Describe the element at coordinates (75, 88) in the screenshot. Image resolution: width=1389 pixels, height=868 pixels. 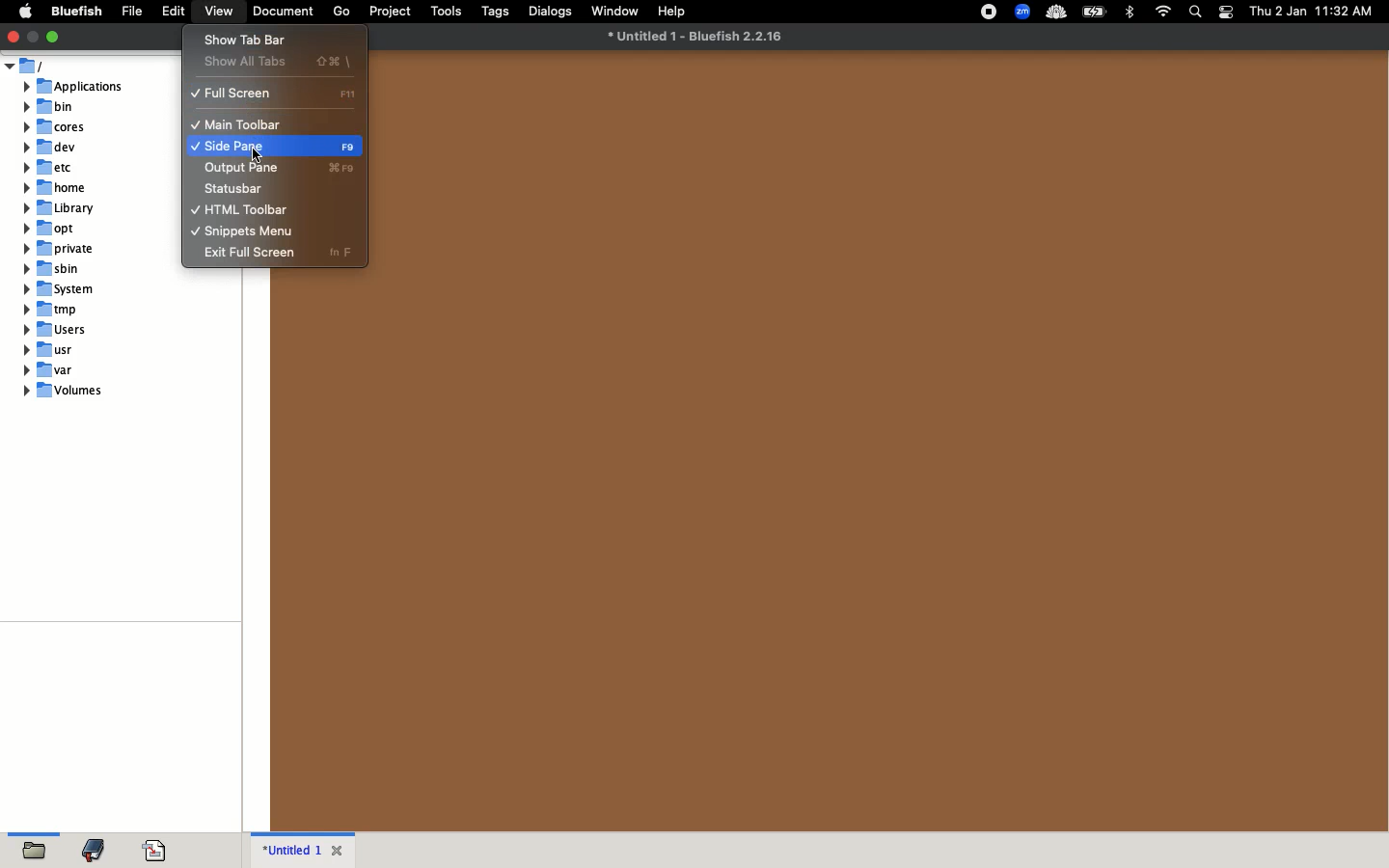
I see `applications` at that location.